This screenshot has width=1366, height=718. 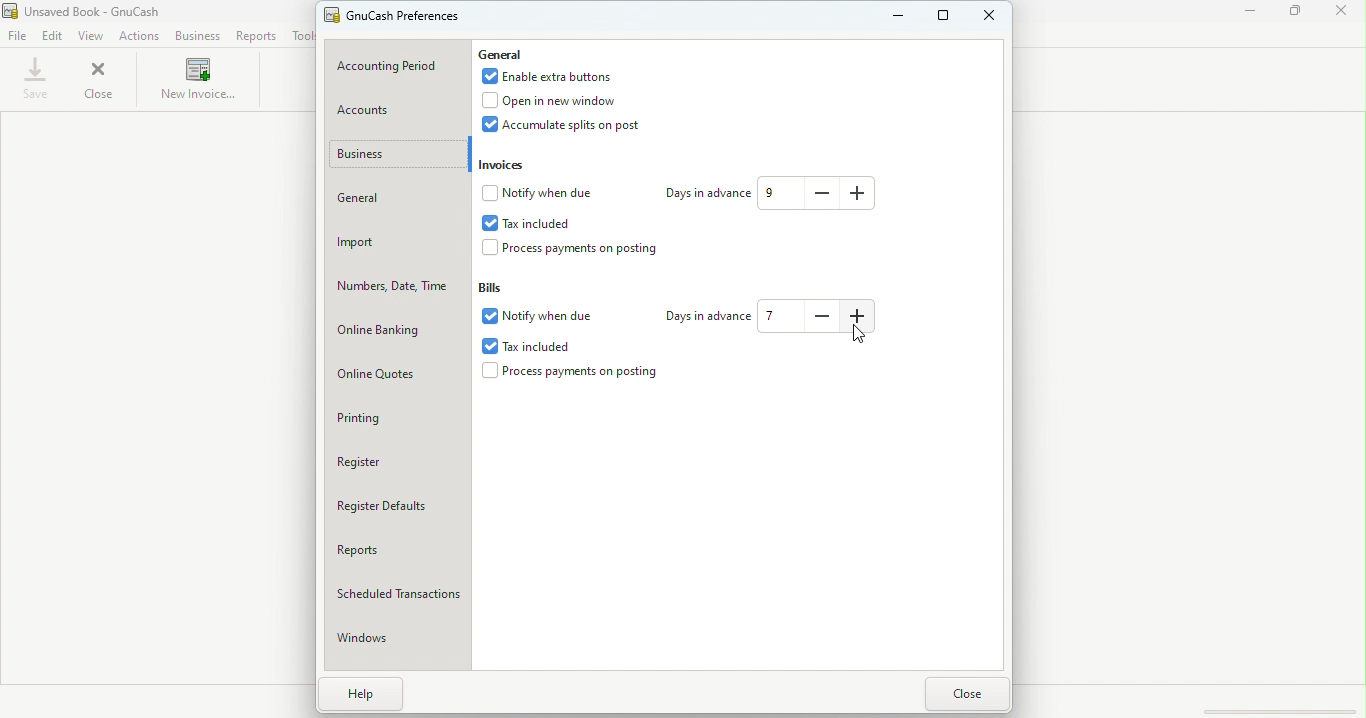 I want to click on General, so click(x=501, y=53).